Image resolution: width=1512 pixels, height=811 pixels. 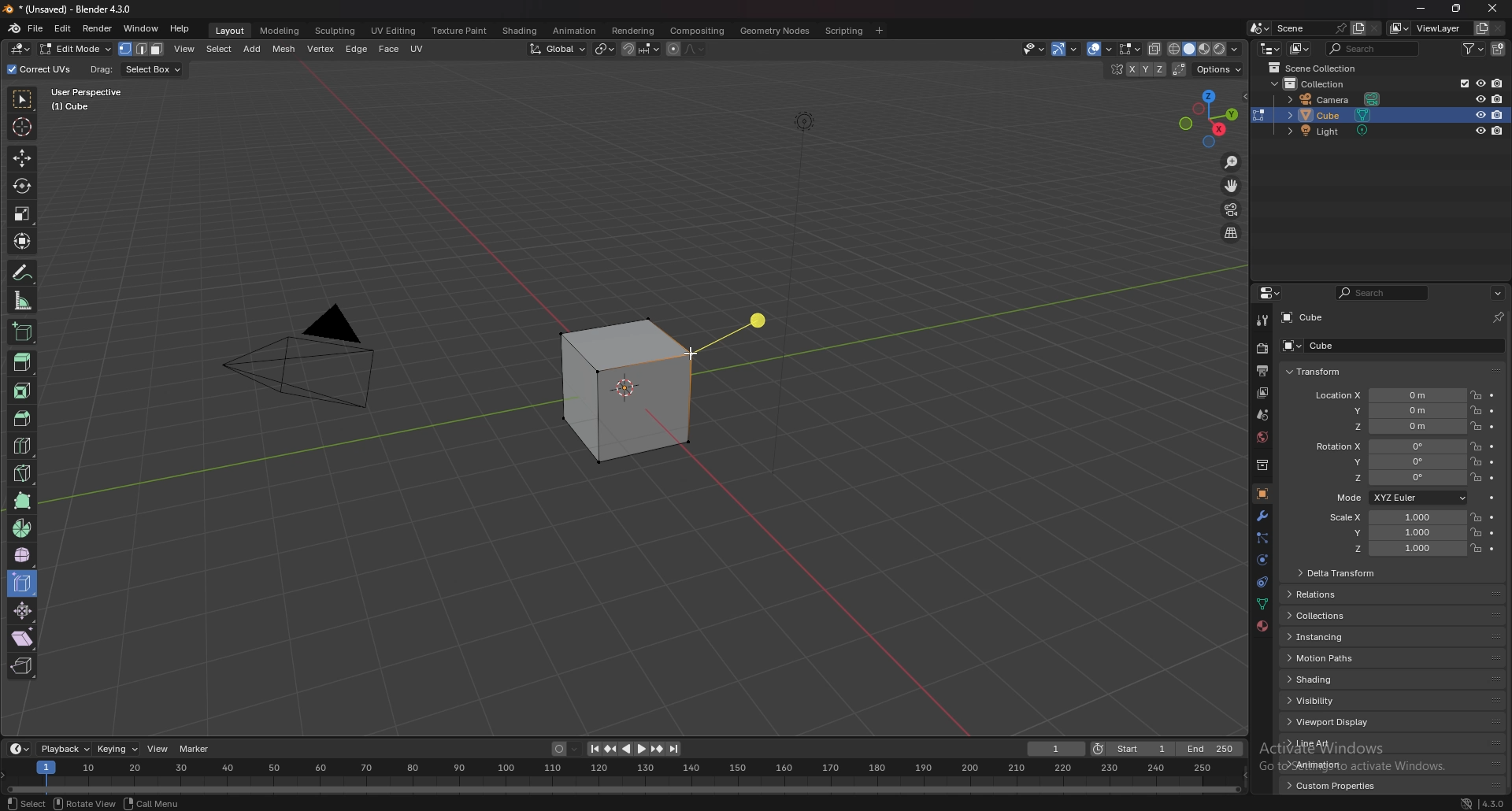 What do you see at coordinates (358, 50) in the screenshot?
I see `edge` at bounding box center [358, 50].